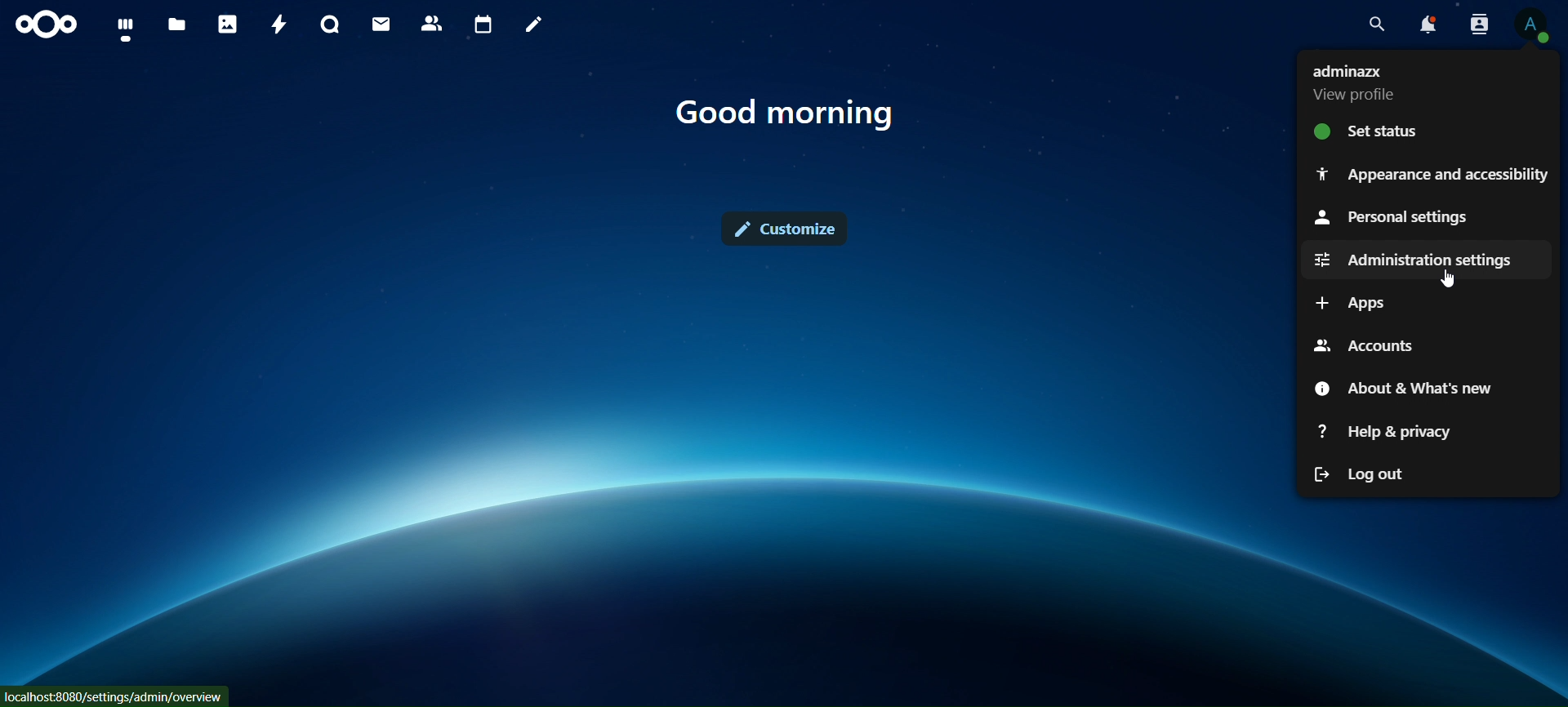 This screenshot has width=1568, height=707. What do you see at coordinates (483, 23) in the screenshot?
I see `calendar` at bounding box center [483, 23].